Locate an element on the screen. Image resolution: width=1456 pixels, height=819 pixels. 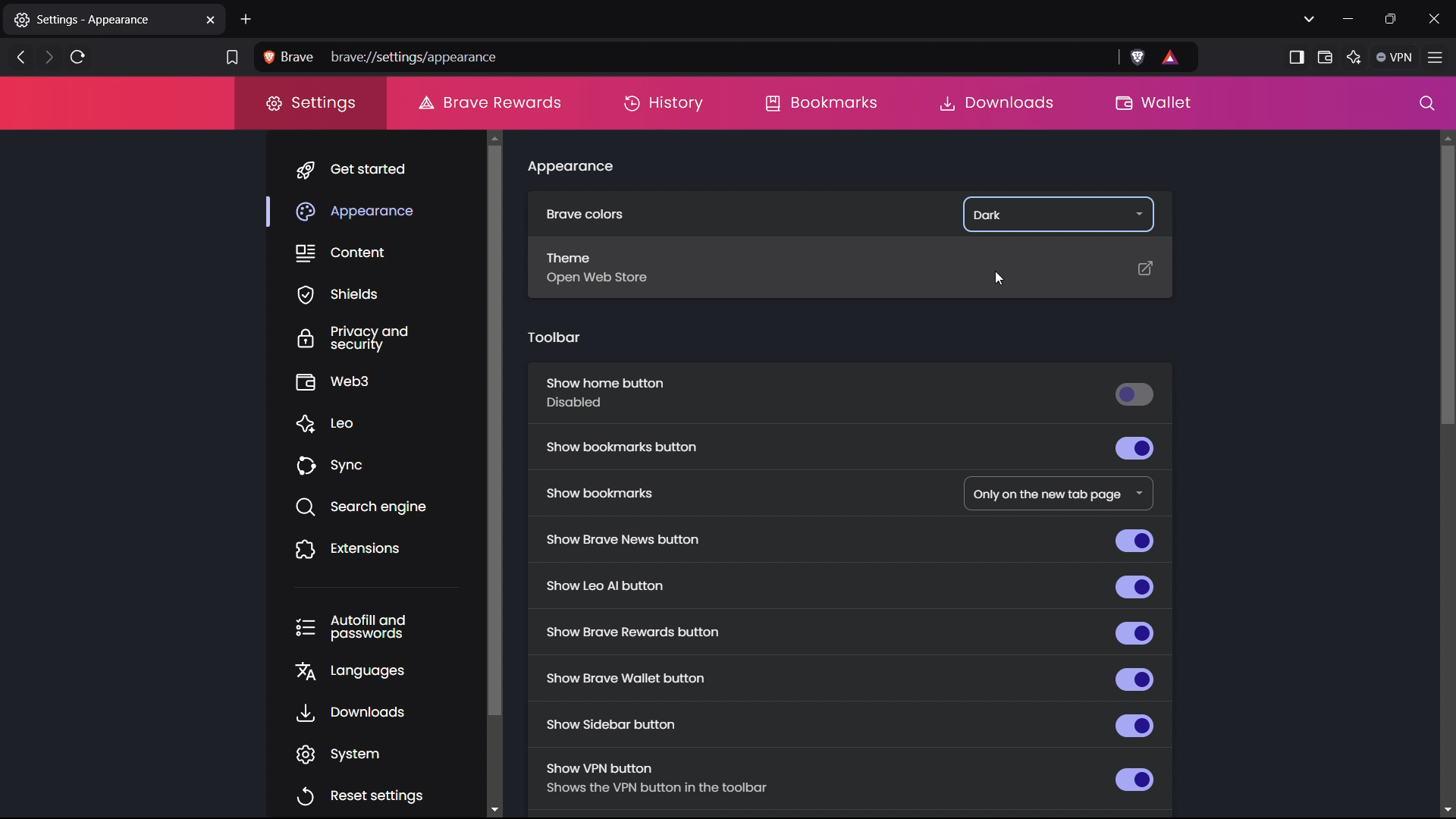
cursor is located at coordinates (1001, 275).